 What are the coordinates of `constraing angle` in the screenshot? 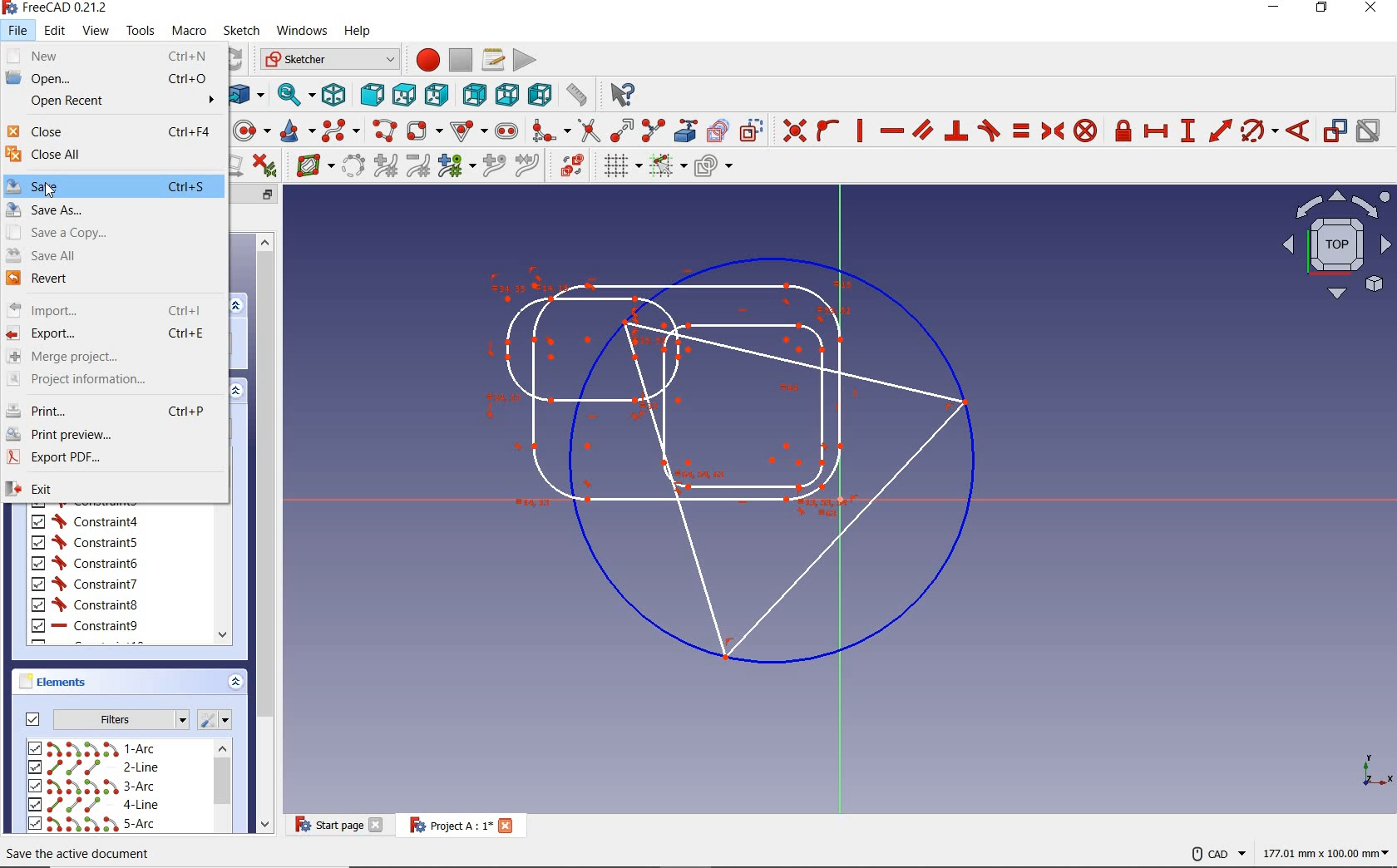 It's located at (1296, 130).